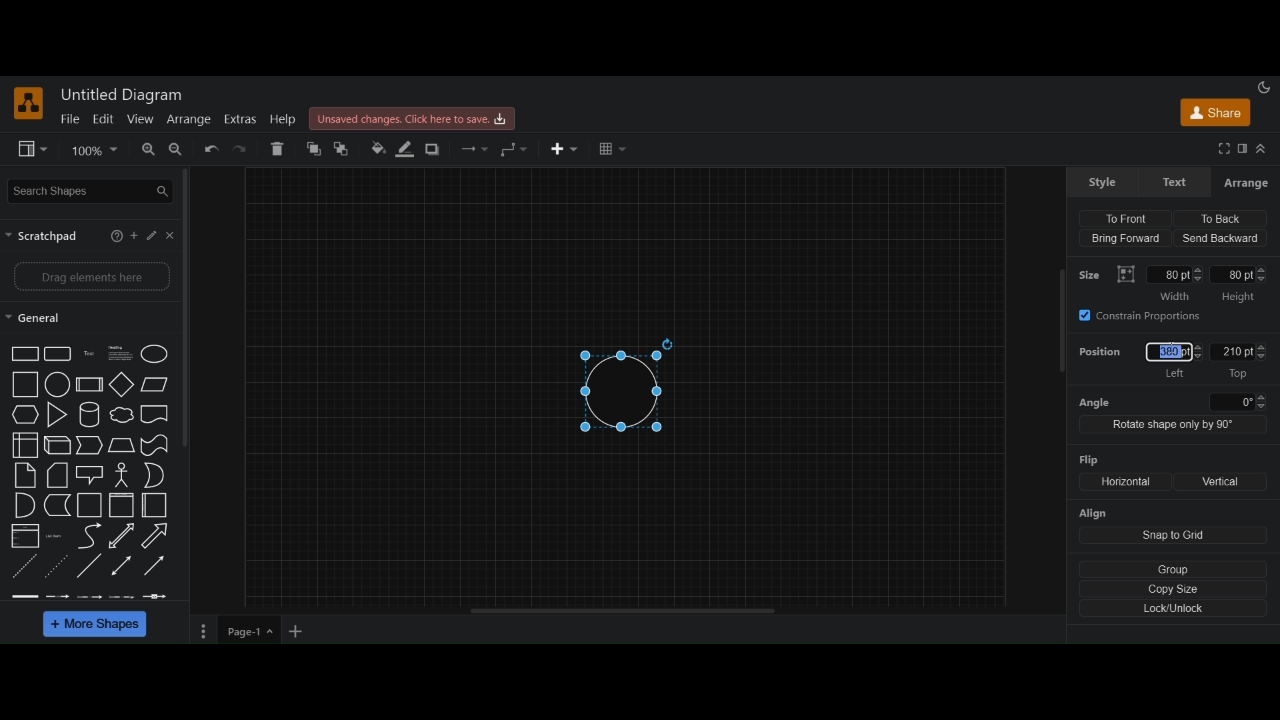  What do you see at coordinates (154, 564) in the screenshot?
I see `1 side arrow` at bounding box center [154, 564].